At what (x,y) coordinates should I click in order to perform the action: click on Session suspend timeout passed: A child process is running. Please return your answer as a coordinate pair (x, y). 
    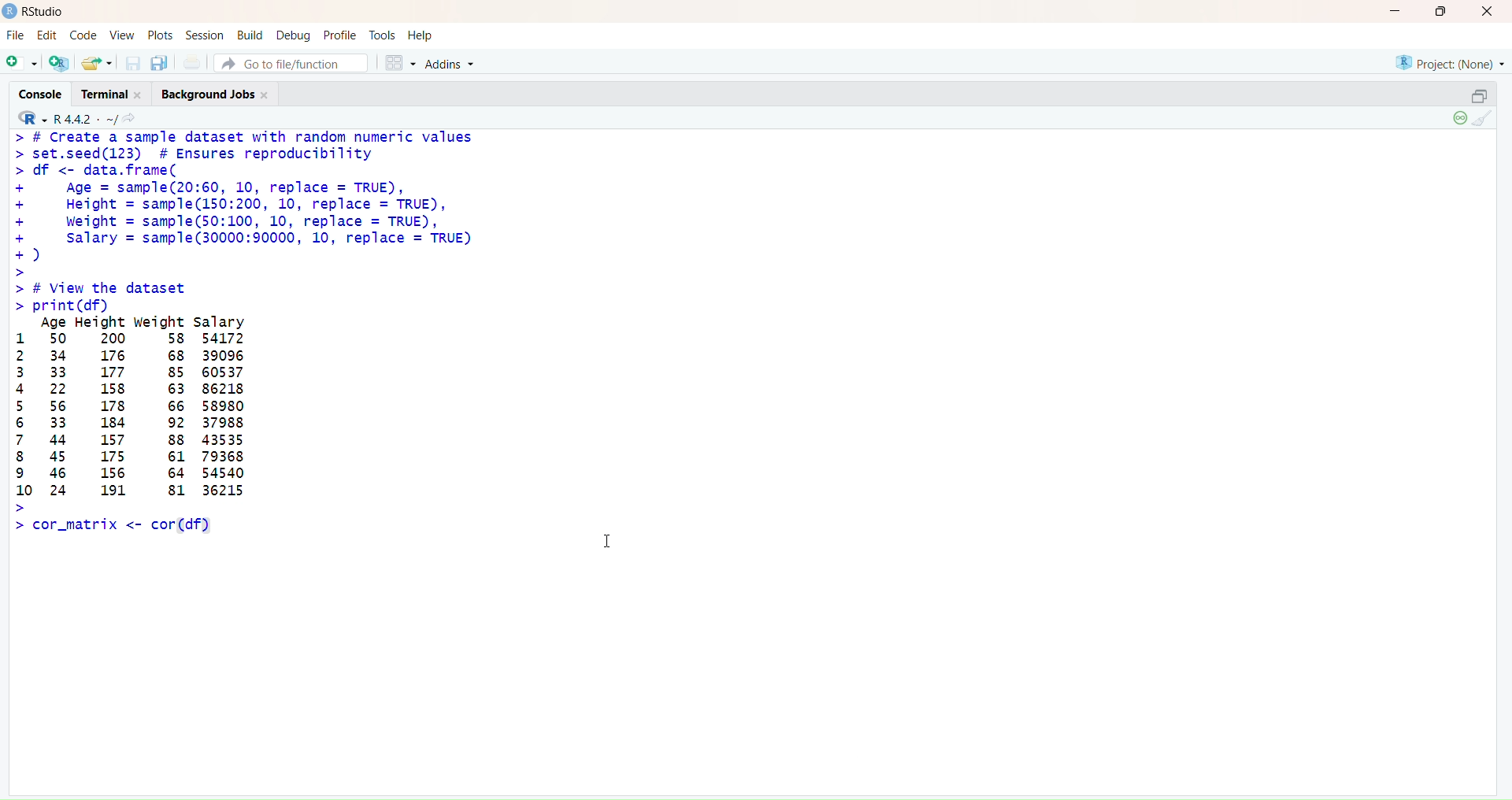
    Looking at the image, I should click on (1458, 119).